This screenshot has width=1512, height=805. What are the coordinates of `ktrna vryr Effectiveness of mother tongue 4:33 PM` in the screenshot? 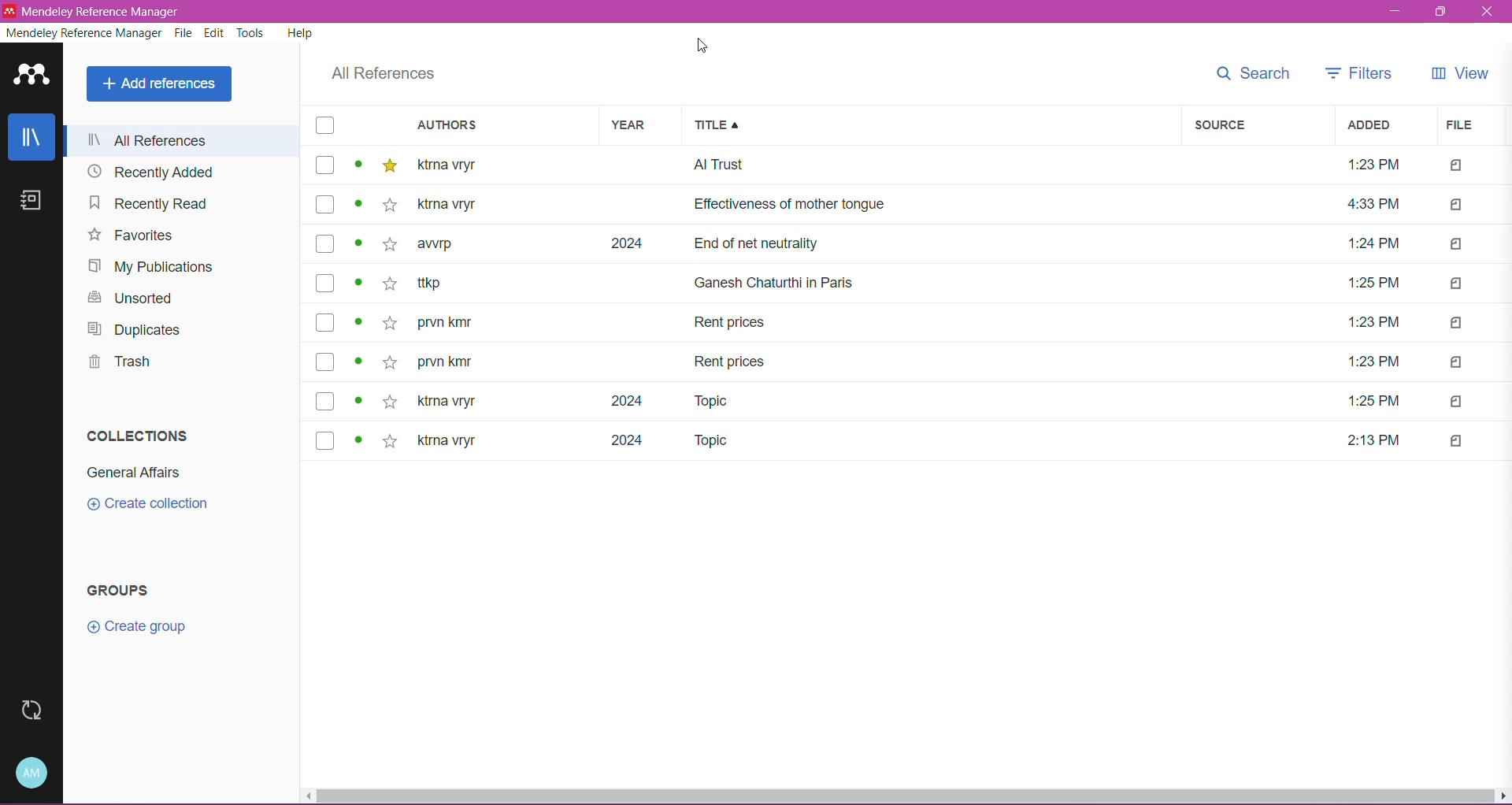 It's located at (917, 204).